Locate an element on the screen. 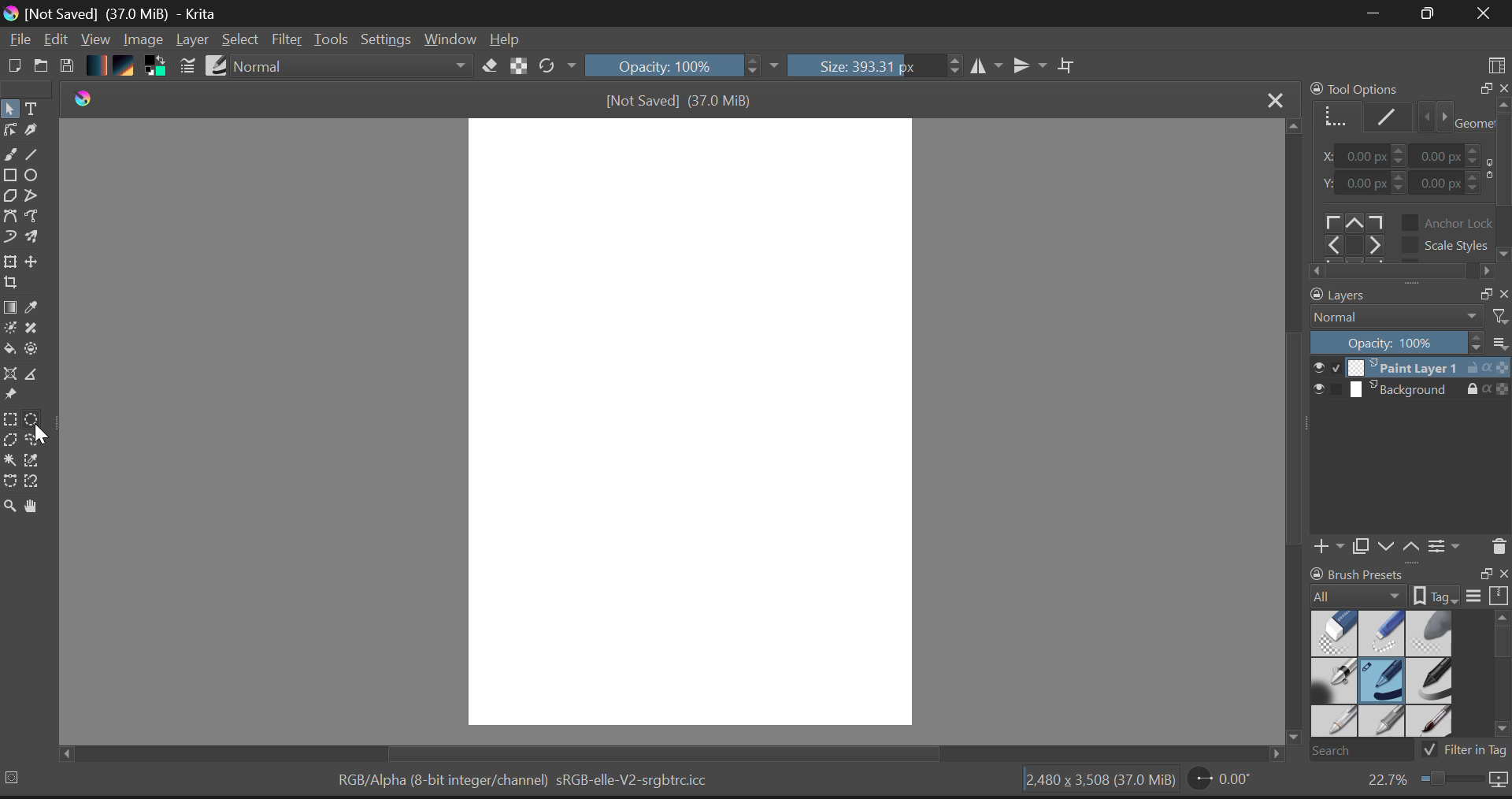 This screenshot has width=1512, height=799. Pattern is located at coordinates (127, 67).